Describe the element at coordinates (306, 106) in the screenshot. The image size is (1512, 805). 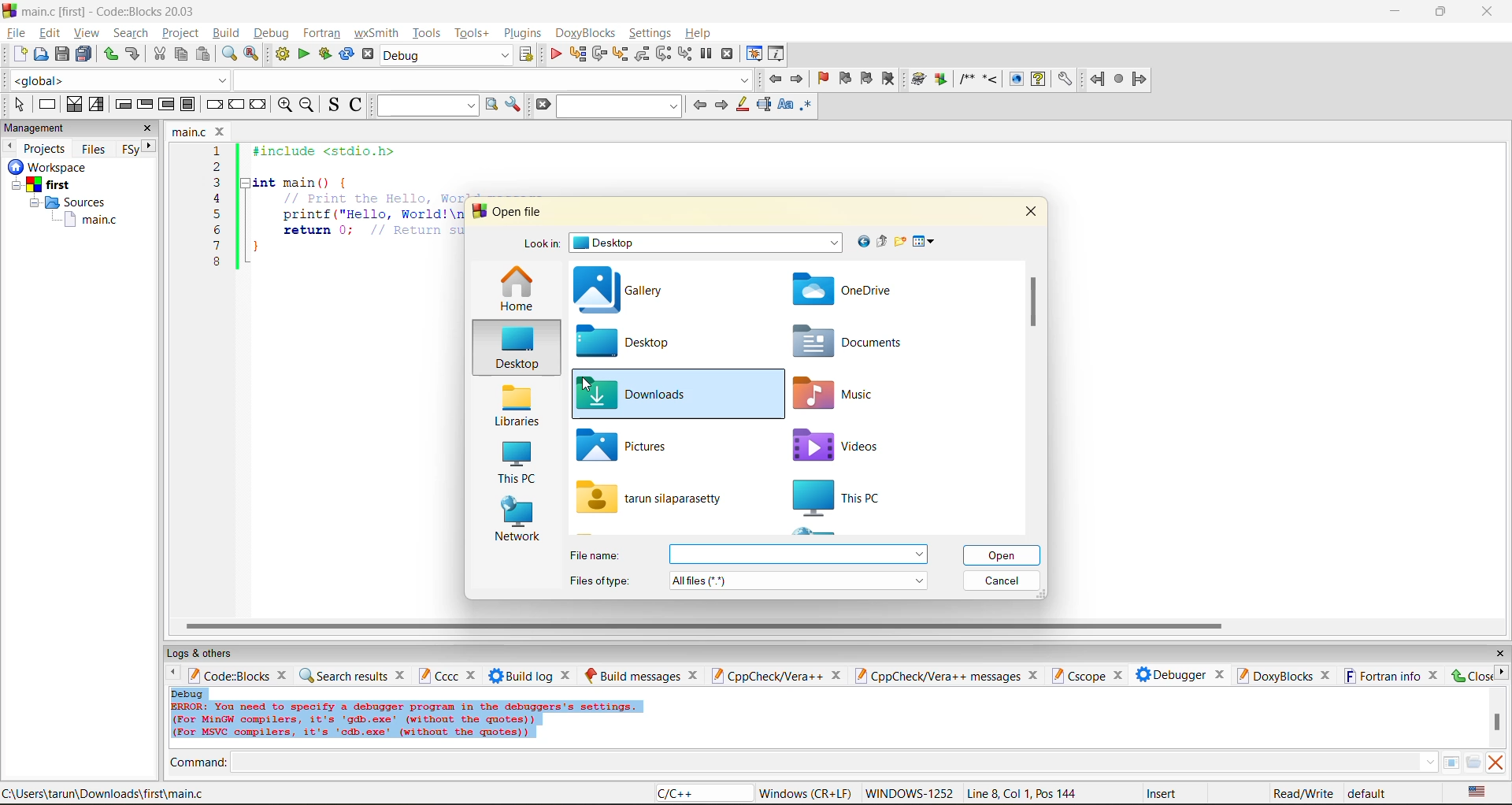
I see `zoom out` at that location.